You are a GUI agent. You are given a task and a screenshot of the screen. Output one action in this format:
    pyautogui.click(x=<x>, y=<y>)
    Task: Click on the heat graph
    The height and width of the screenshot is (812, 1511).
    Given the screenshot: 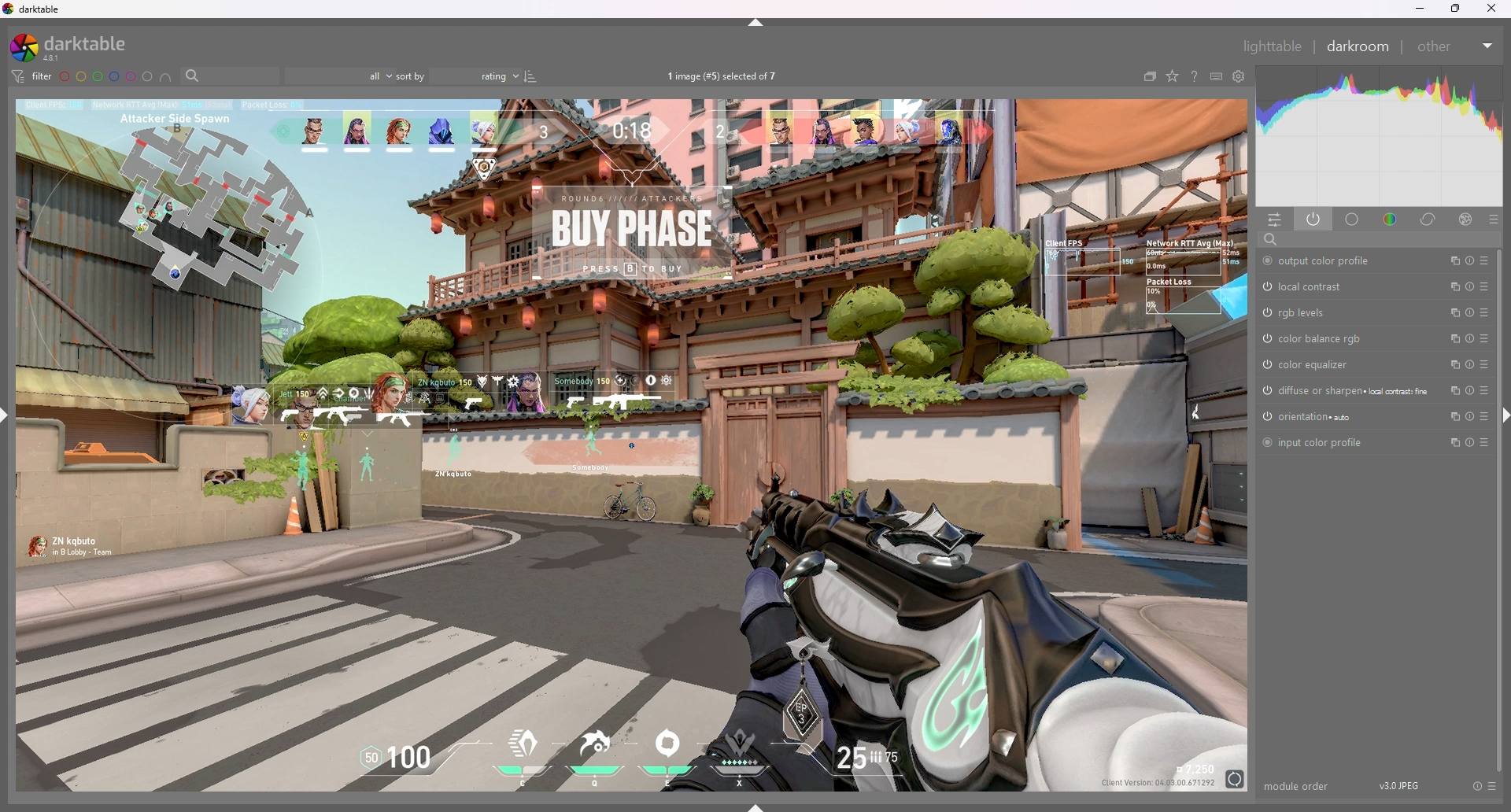 What is the action you would take?
    pyautogui.click(x=1380, y=136)
    